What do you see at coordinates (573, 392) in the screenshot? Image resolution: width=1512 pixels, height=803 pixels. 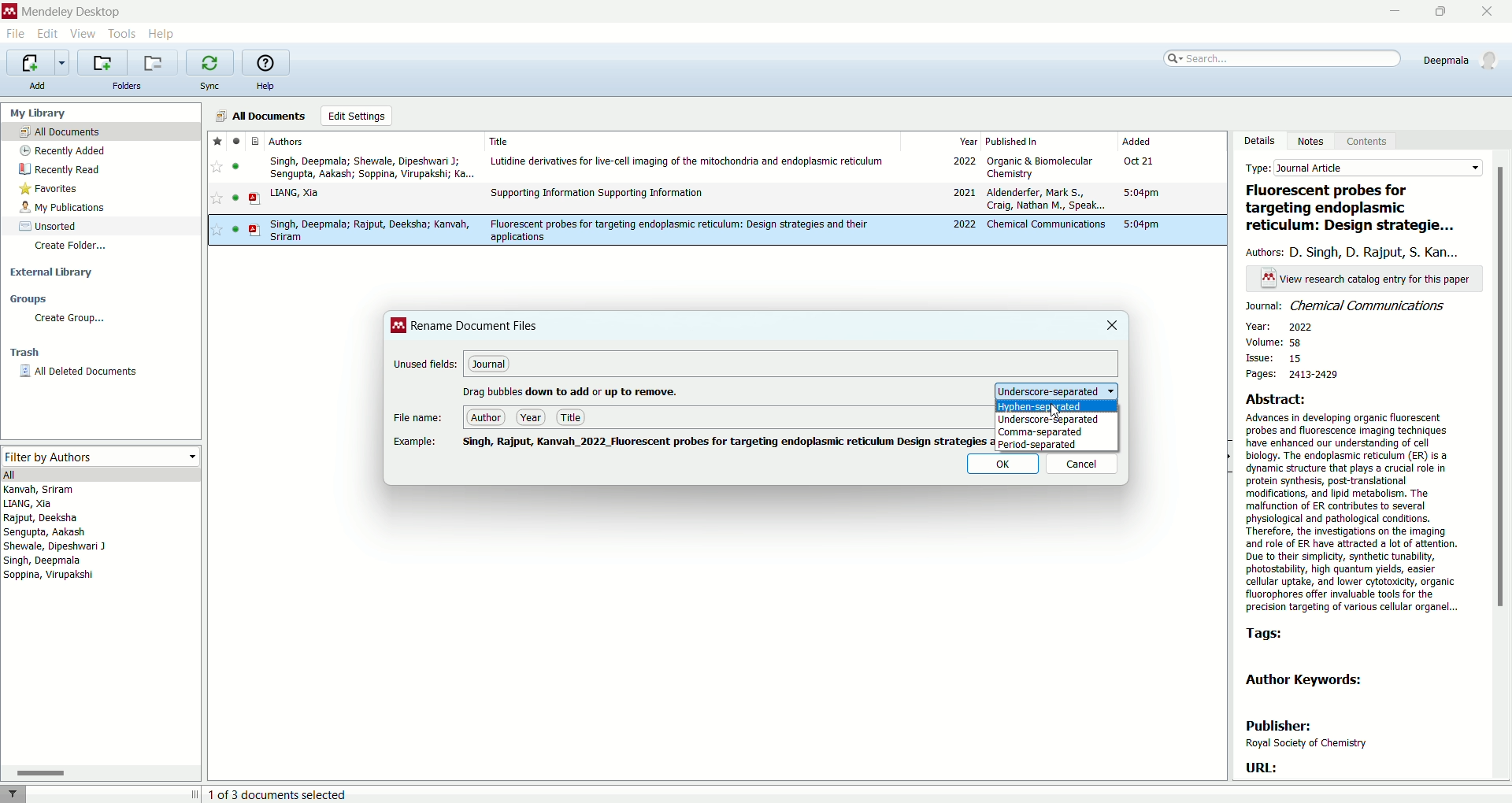 I see `text` at bounding box center [573, 392].